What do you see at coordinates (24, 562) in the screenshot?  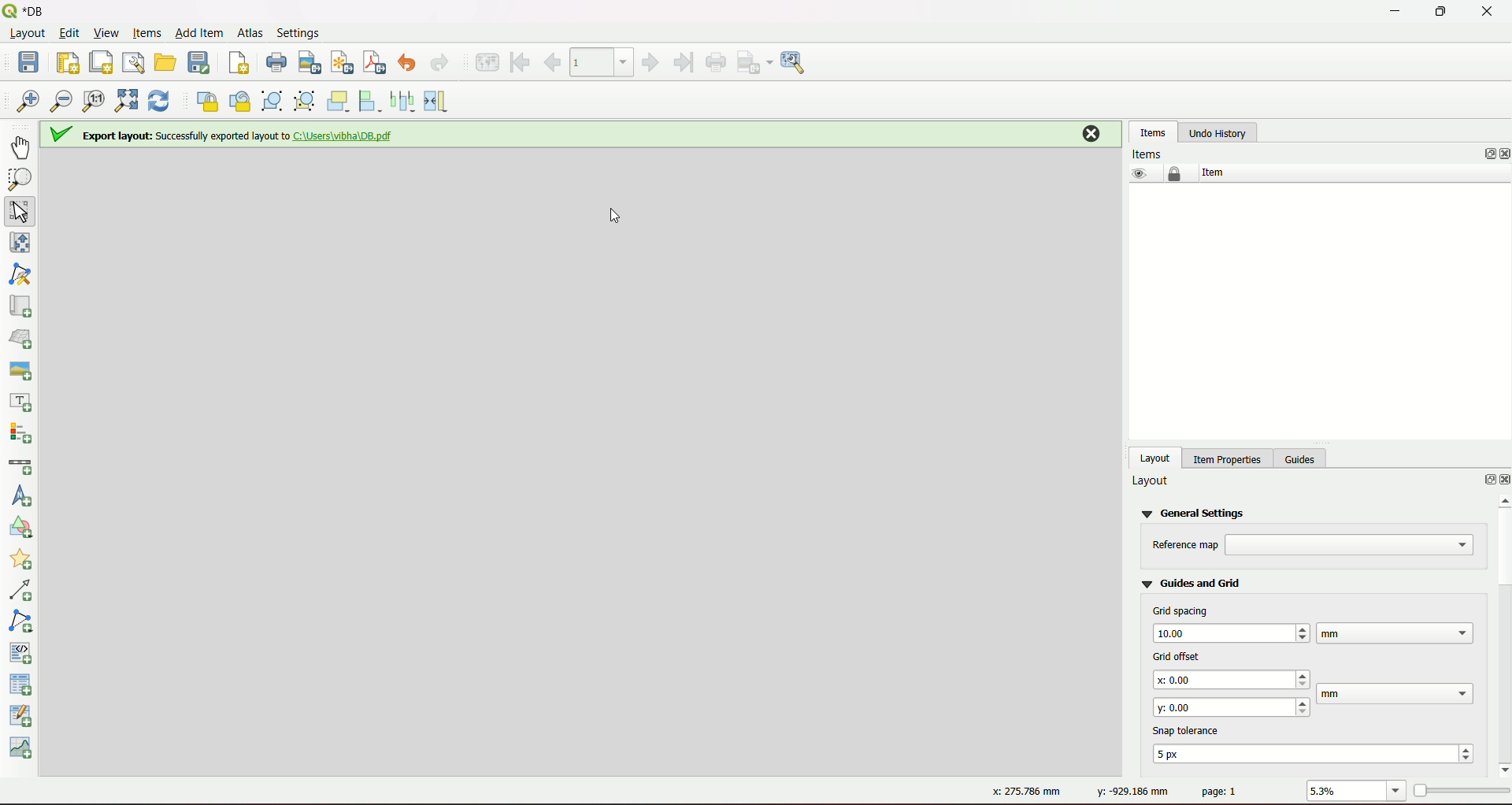 I see `add marker` at bounding box center [24, 562].